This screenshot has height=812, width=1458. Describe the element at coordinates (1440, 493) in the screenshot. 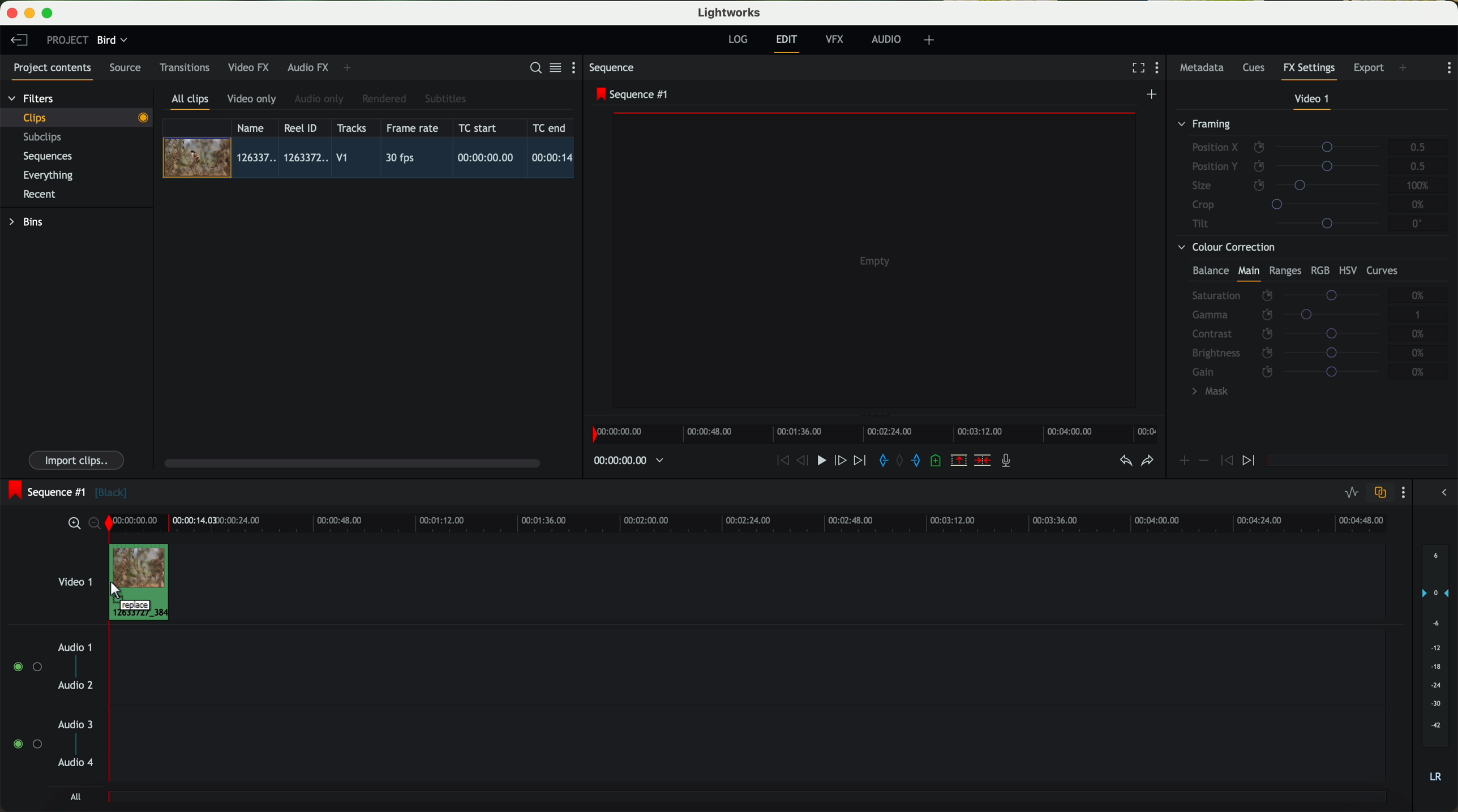

I see `show/hide the full audio mix` at that location.